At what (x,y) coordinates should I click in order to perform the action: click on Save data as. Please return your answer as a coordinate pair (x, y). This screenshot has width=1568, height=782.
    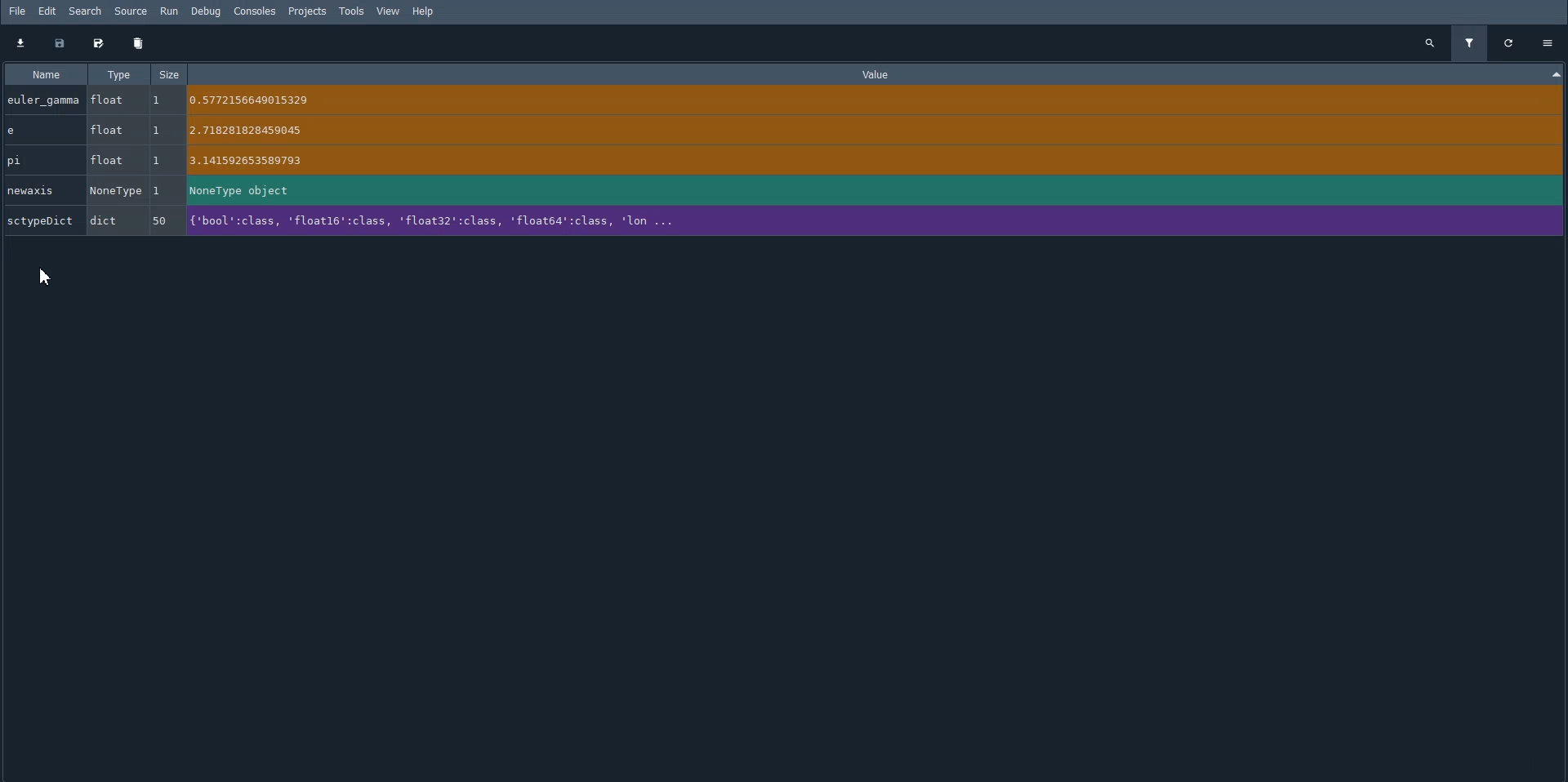
    Looking at the image, I should click on (99, 45).